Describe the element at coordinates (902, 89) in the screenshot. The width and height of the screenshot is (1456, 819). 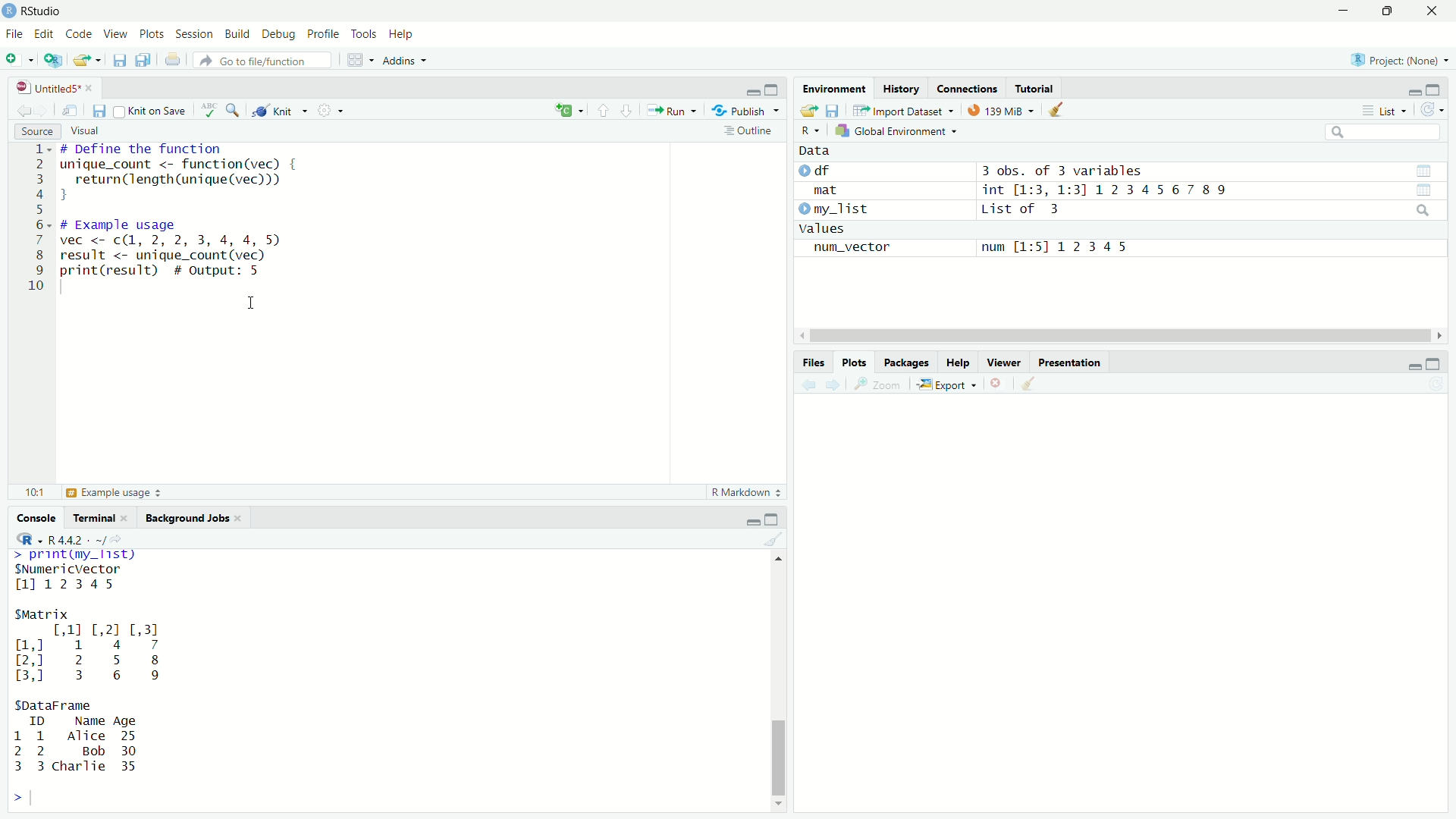
I see `History` at that location.